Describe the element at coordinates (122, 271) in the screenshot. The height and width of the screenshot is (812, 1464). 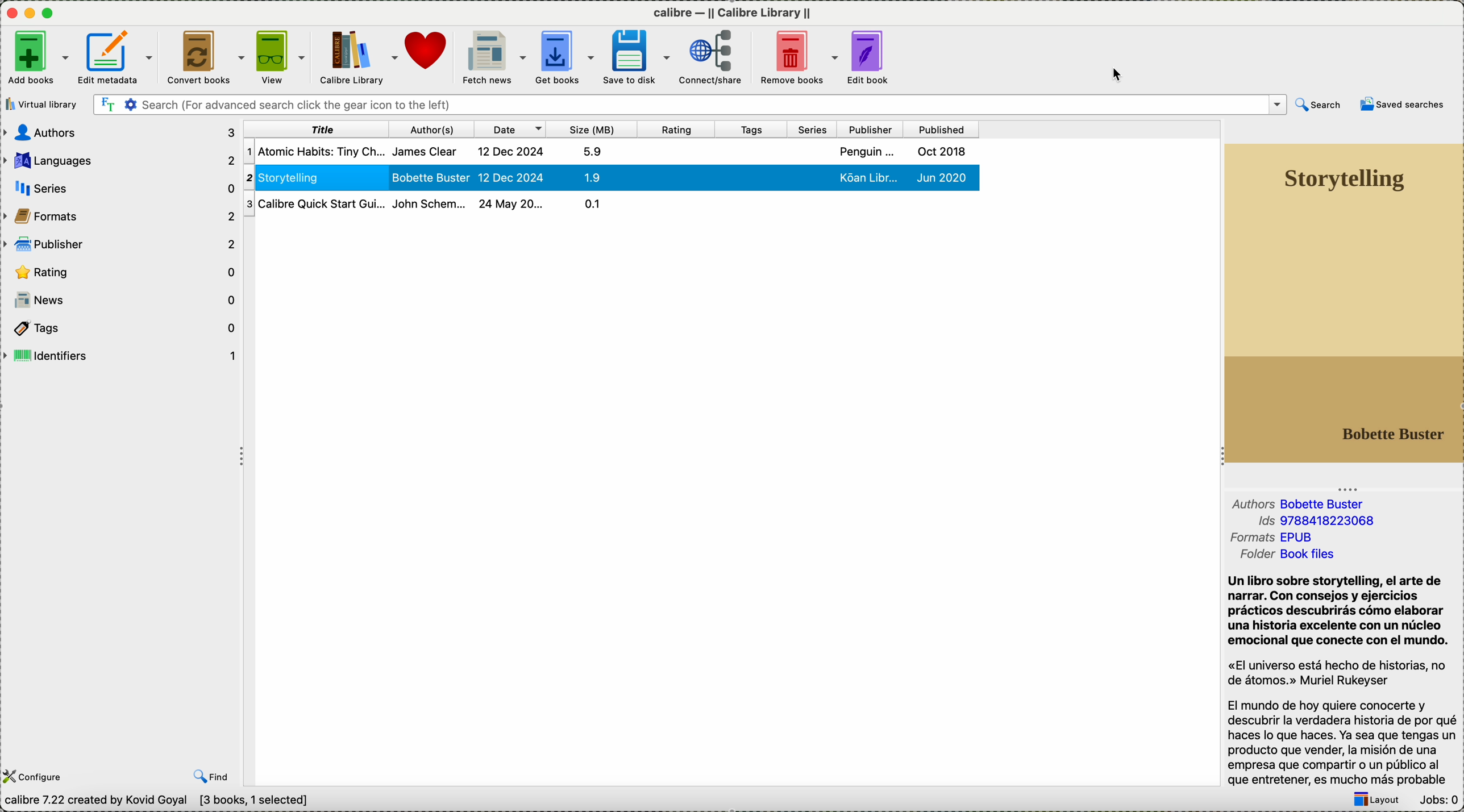
I see `rating` at that location.